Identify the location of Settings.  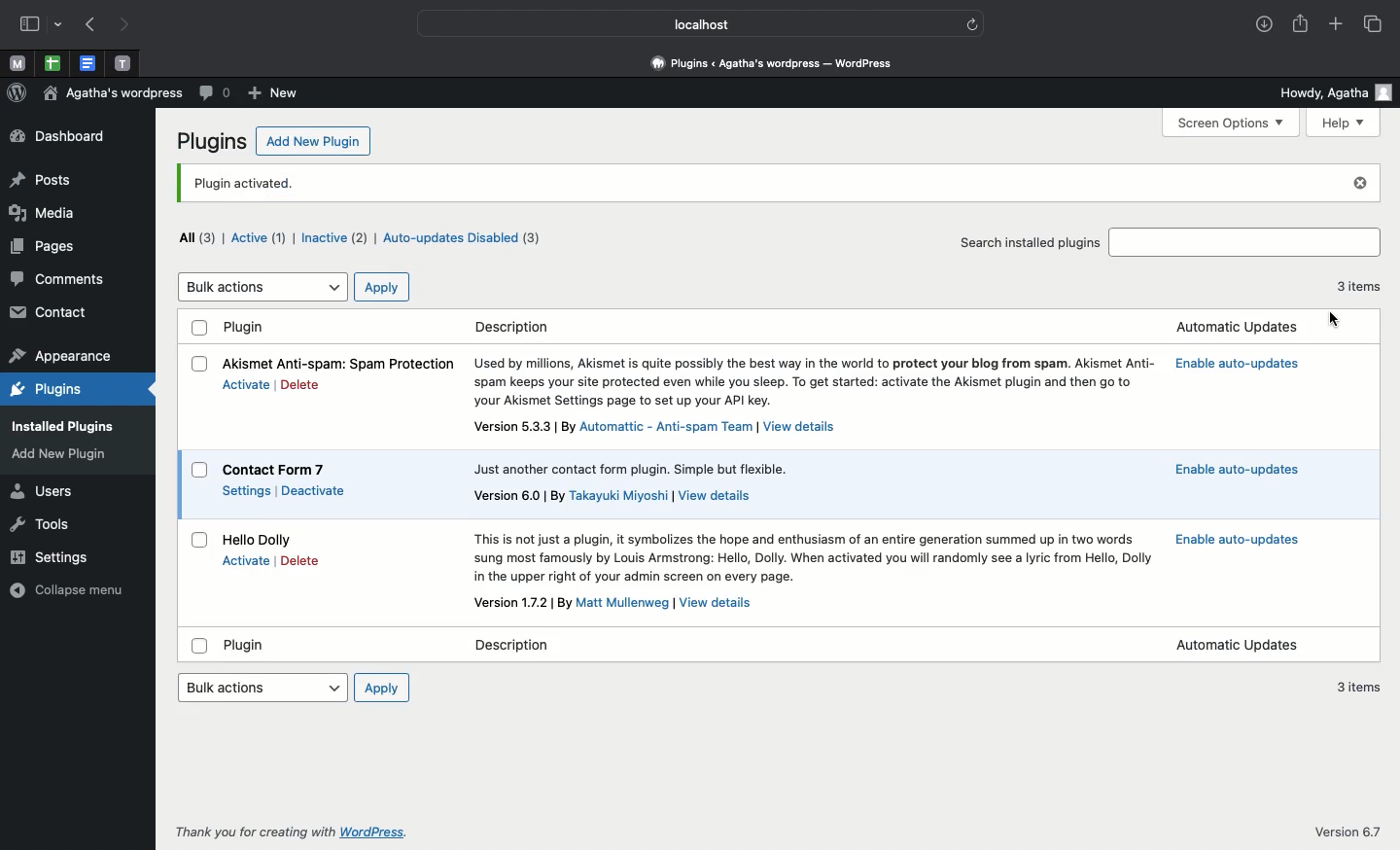
(247, 490).